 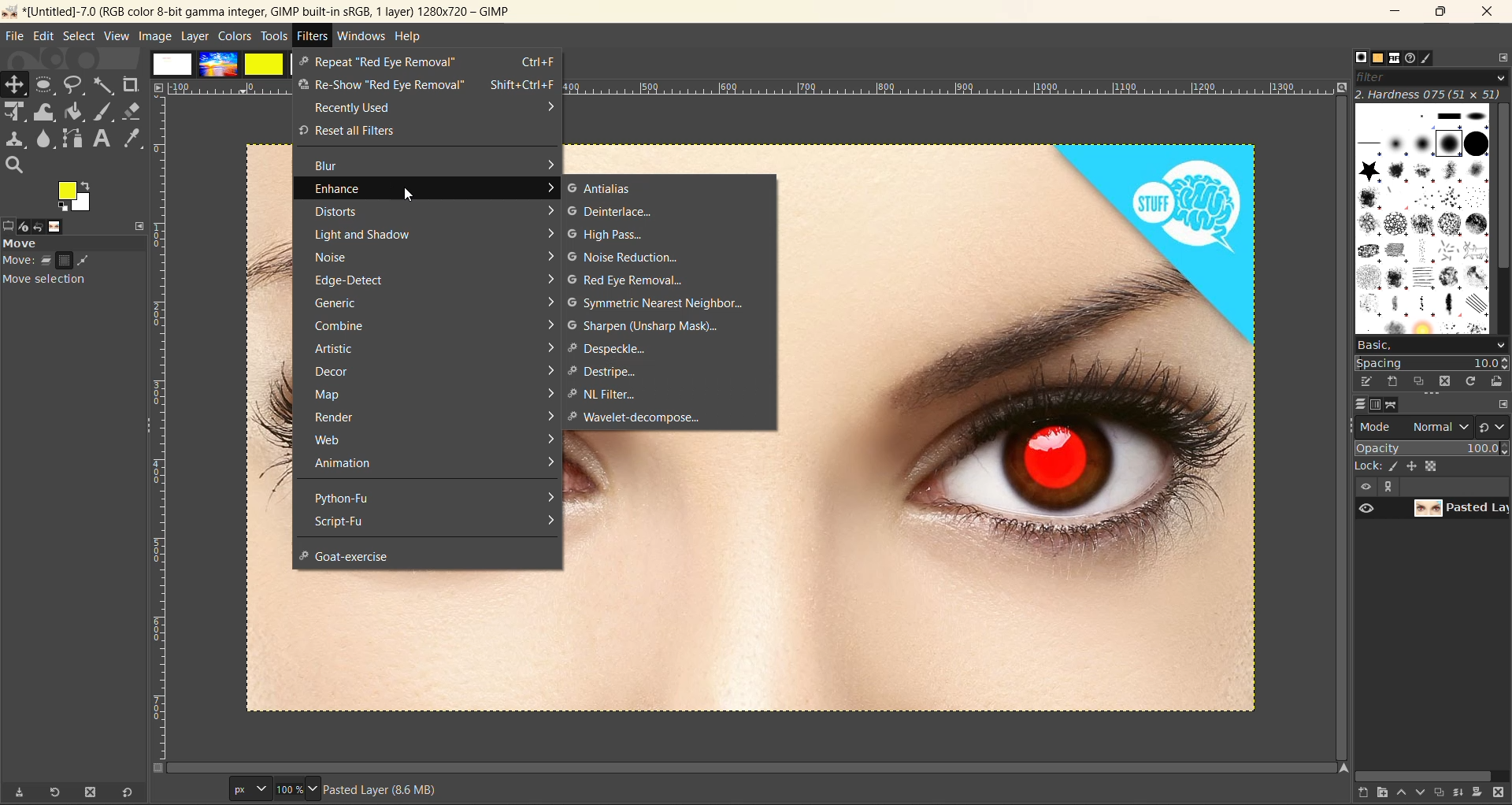 I want to click on file, so click(x=11, y=36).